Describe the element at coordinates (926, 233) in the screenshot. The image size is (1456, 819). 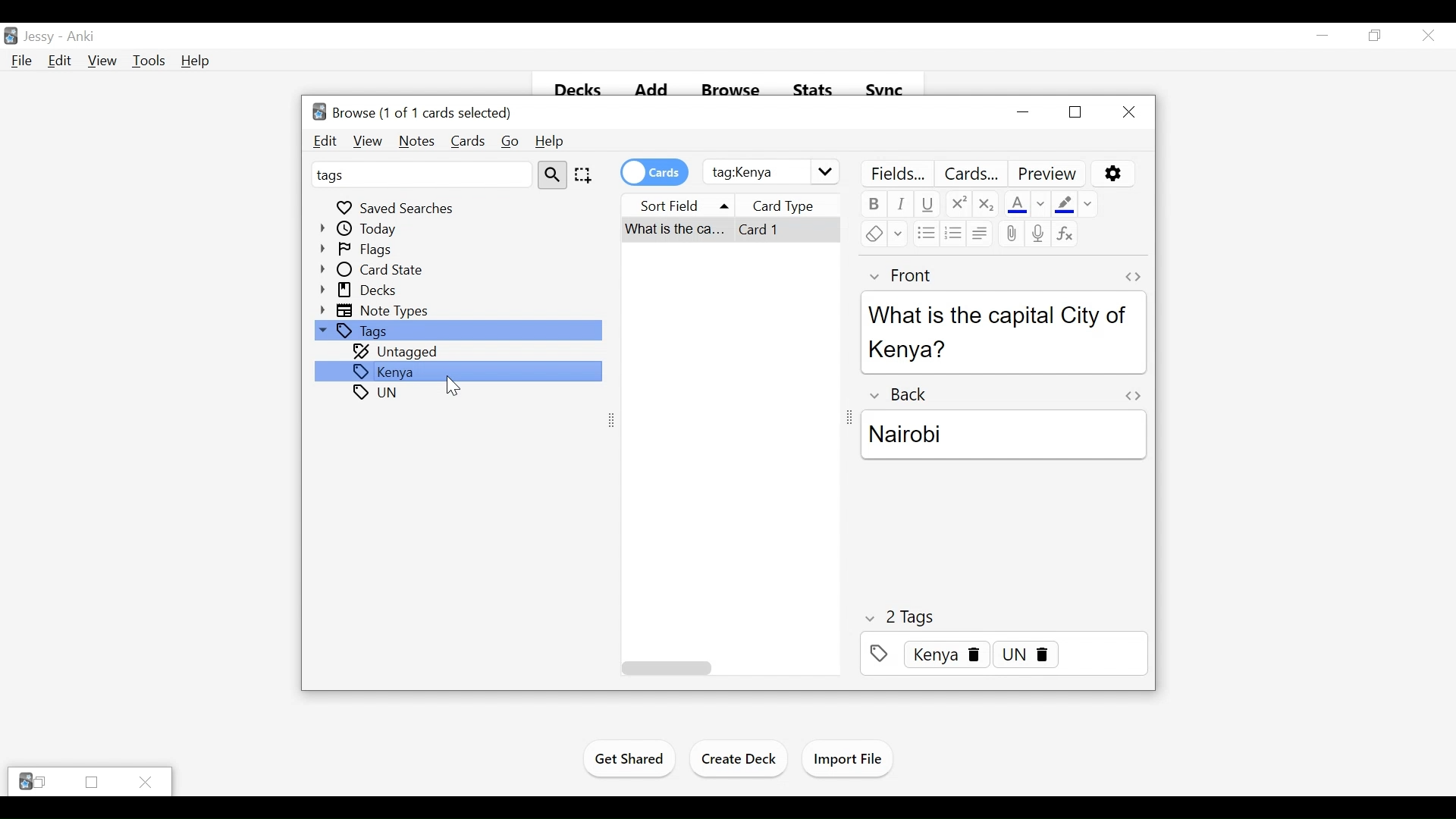
I see `Unordered list` at that location.